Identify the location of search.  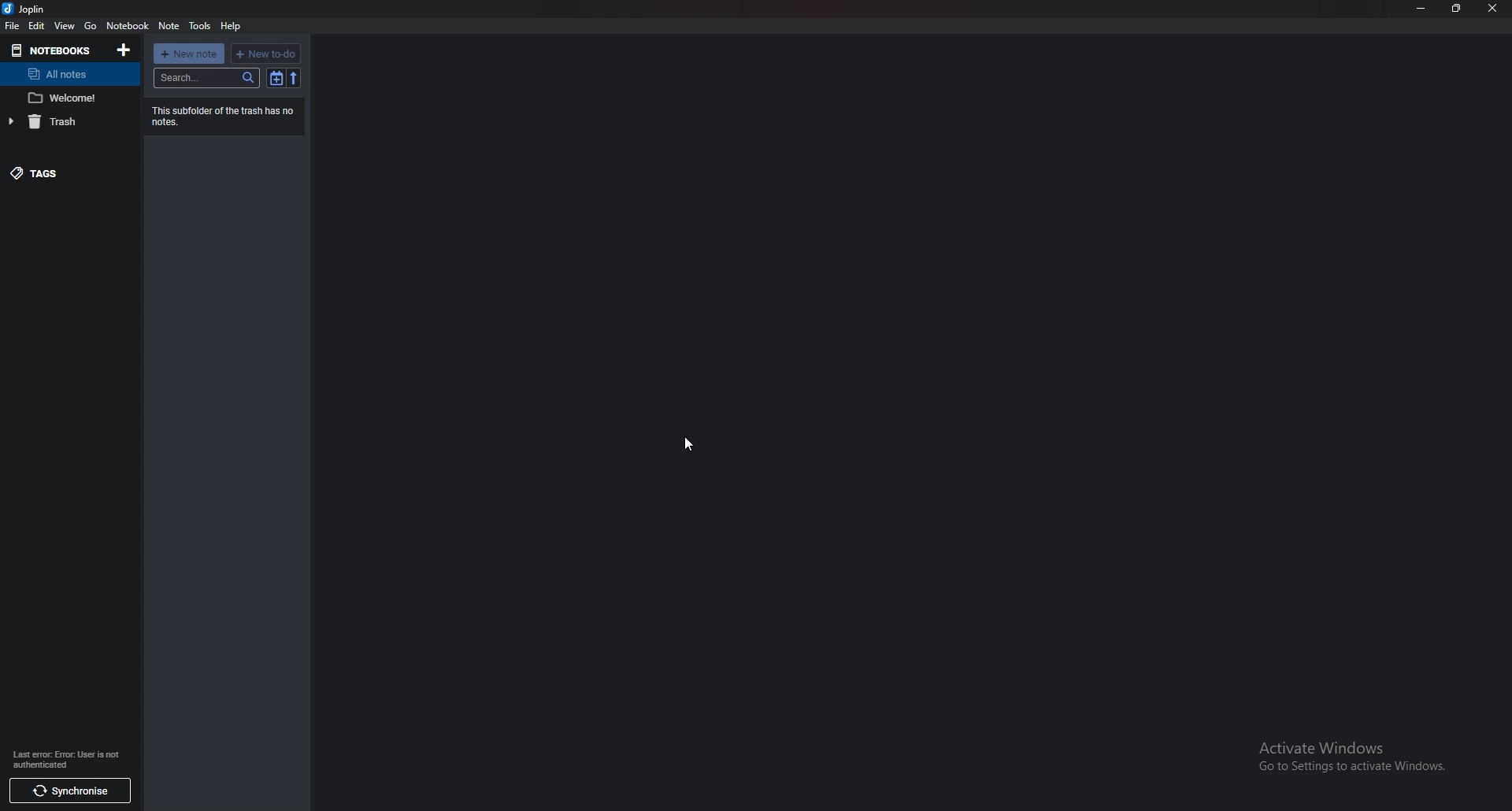
(206, 77).